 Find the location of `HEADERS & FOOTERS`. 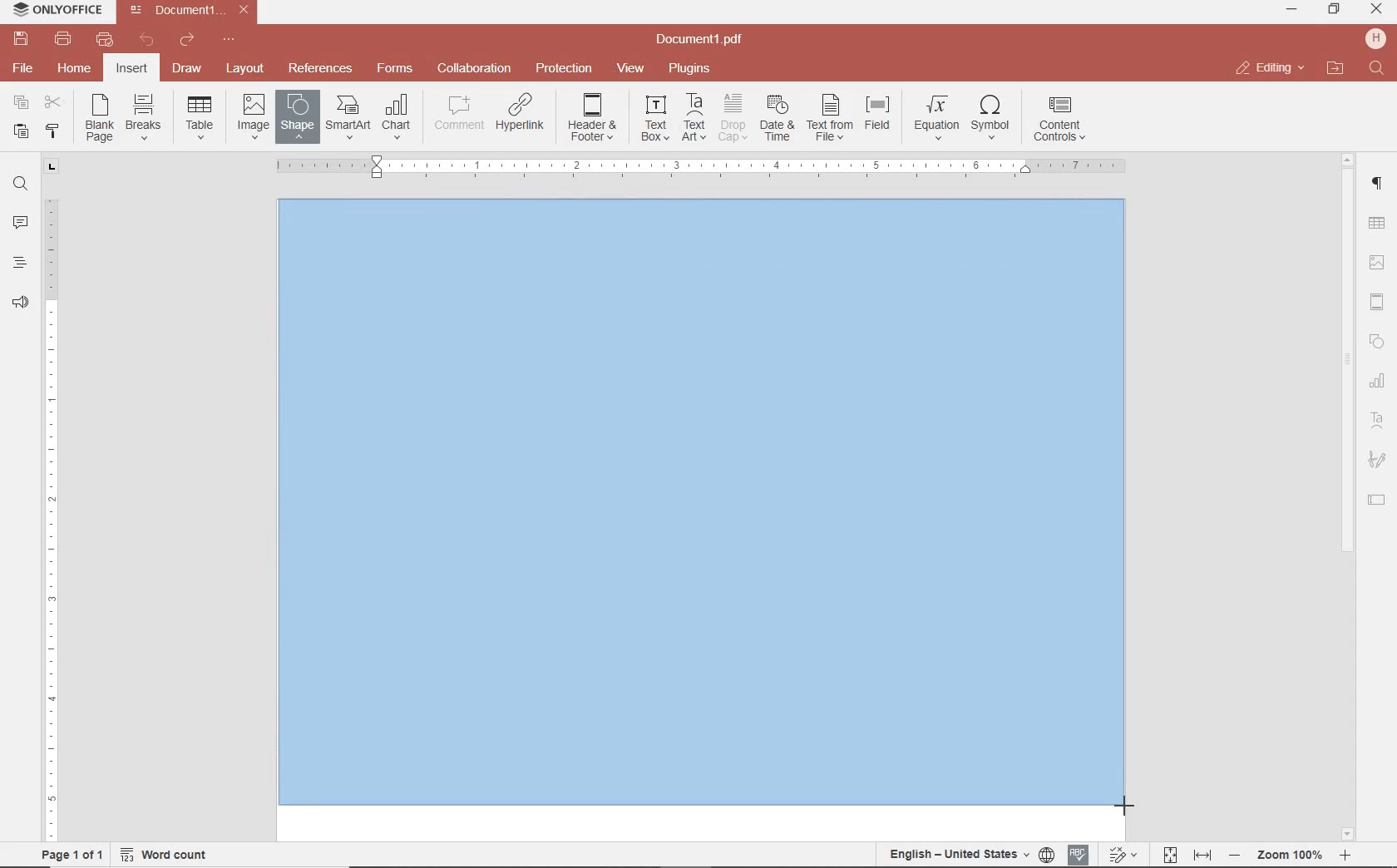

HEADERS & FOOTERS is located at coordinates (1378, 303).